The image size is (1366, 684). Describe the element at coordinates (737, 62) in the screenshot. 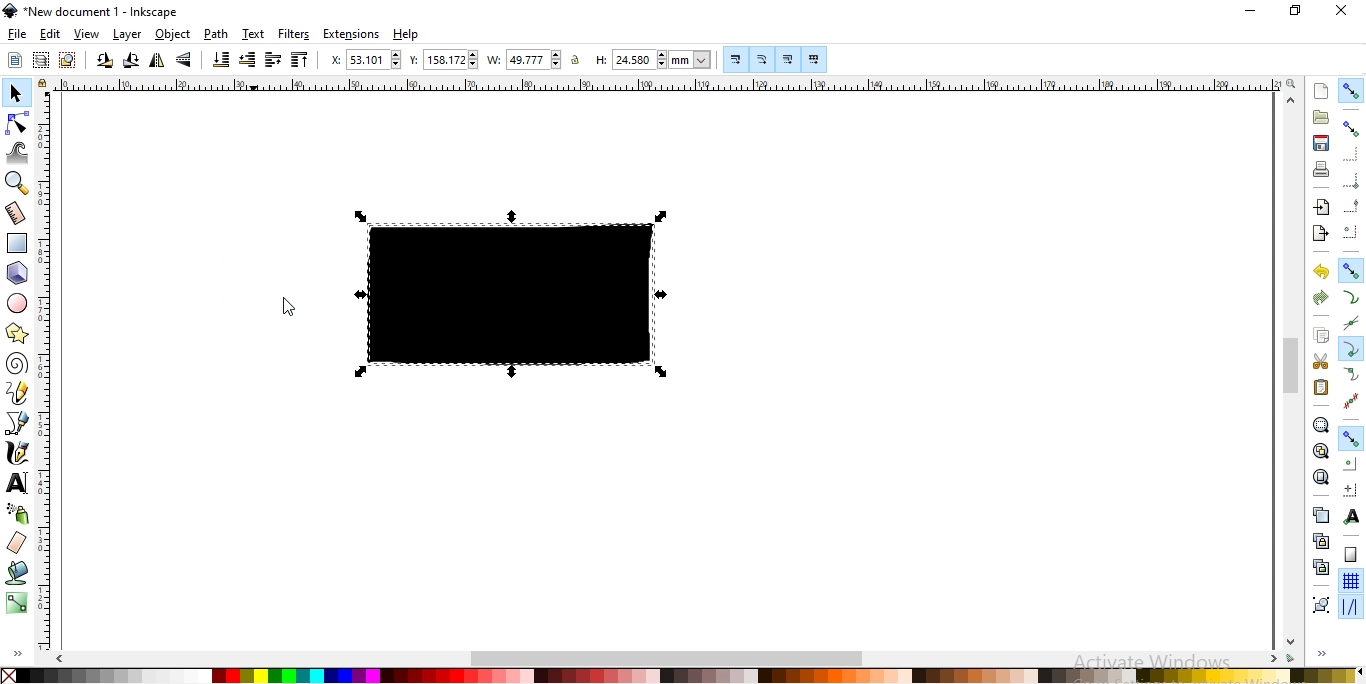

I see `` at that location.